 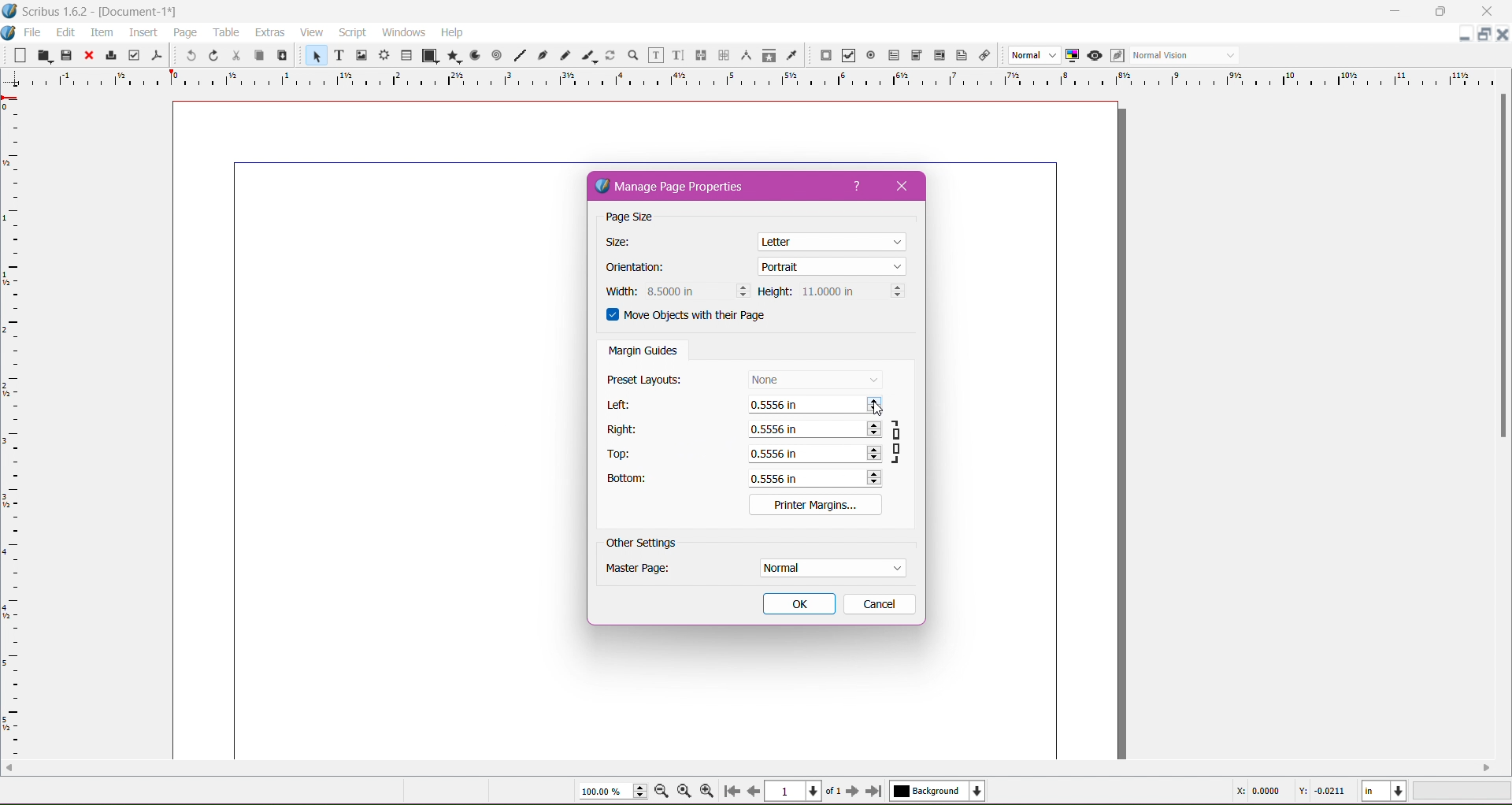 I want to click on Current Zoom Level, so click(x=606, y=792).